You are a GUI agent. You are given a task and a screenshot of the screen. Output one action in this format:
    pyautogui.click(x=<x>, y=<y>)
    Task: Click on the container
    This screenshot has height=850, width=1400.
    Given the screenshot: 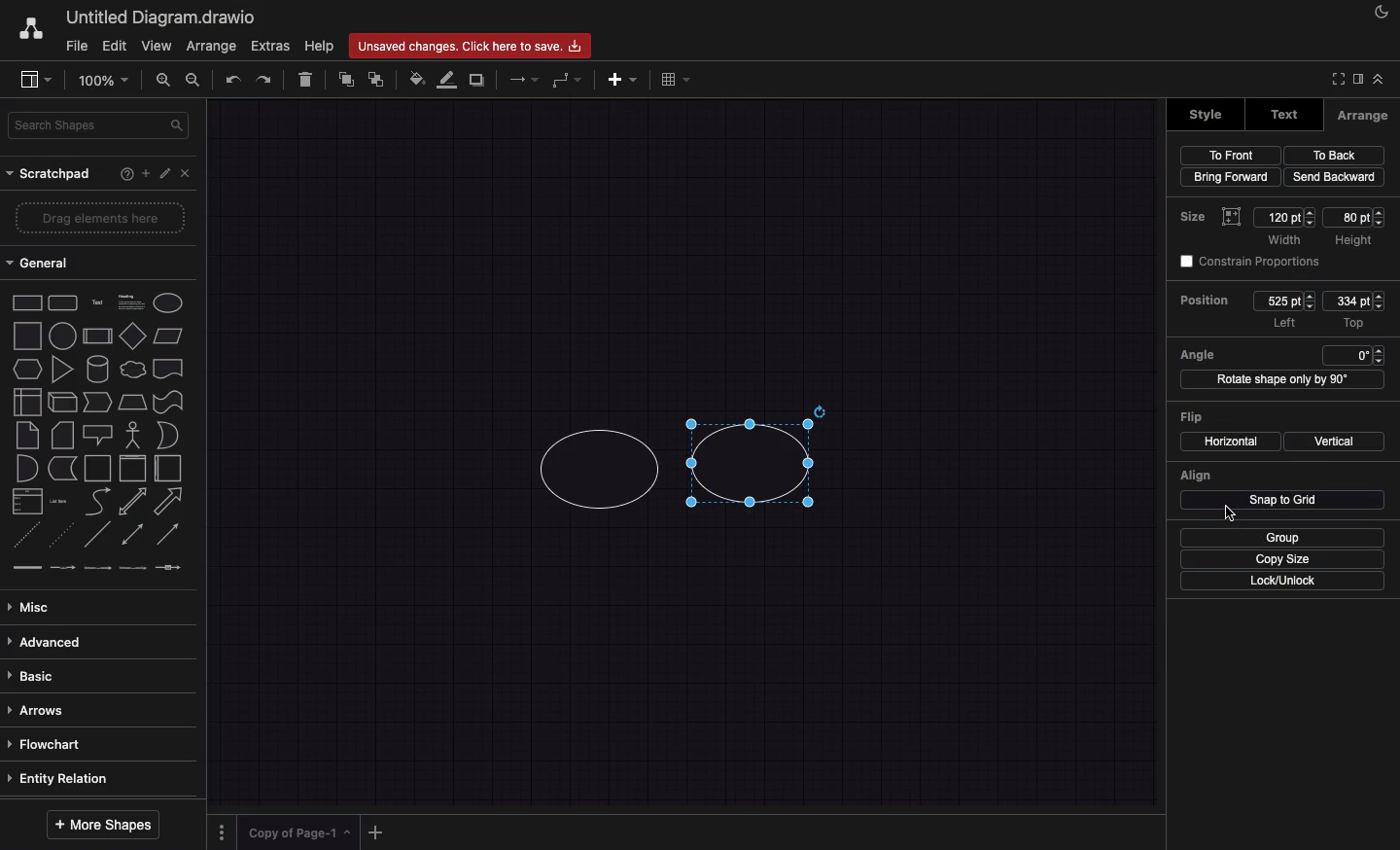 What is the action you would take?
    pyautogui.click(x=98, y=469)
    